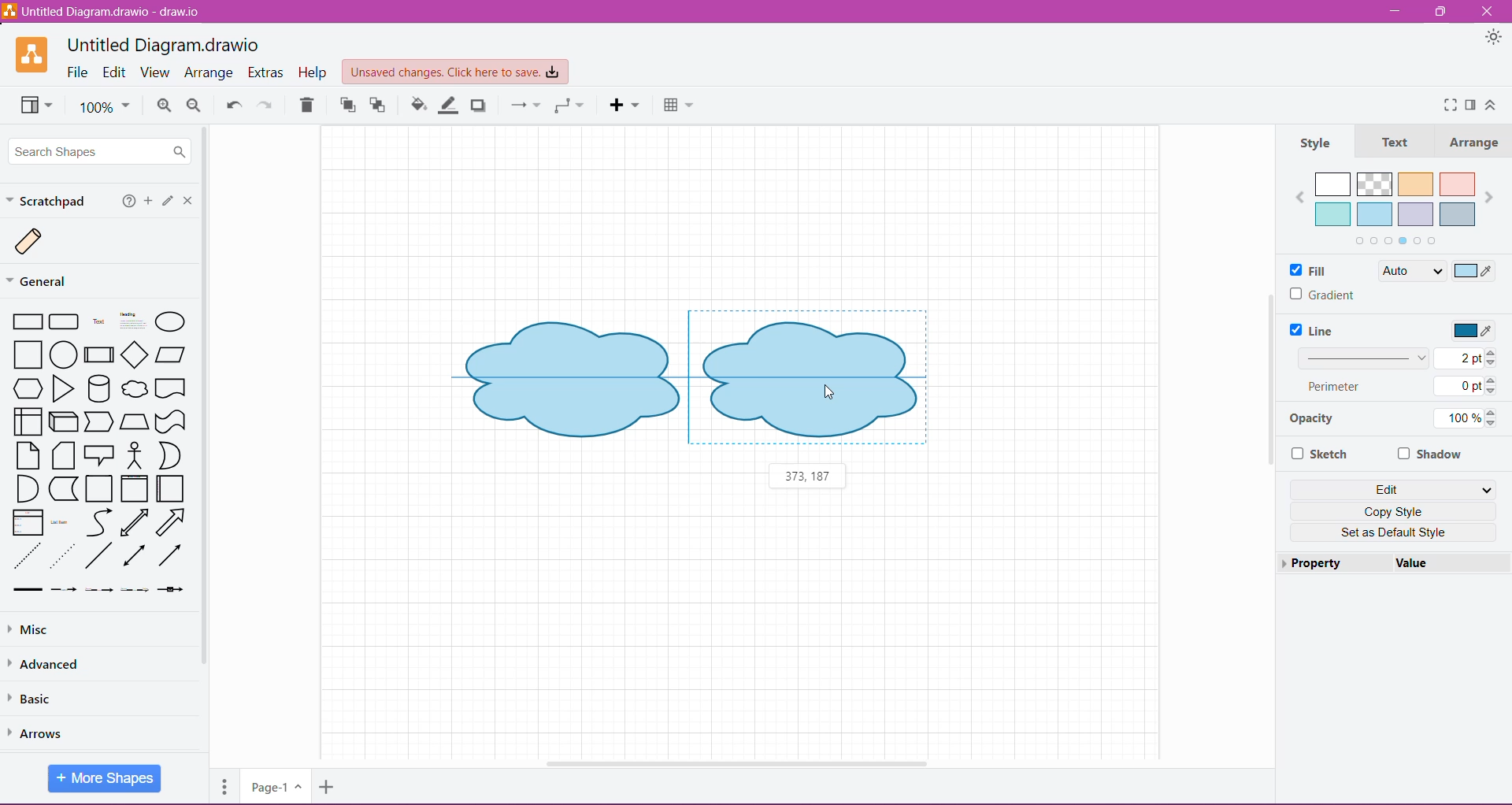 This screenshot has height=805, width=1512. Describe the element at coordinates (572, 376) in the screenshot. I see `Shape 1 before duplication` at that location.